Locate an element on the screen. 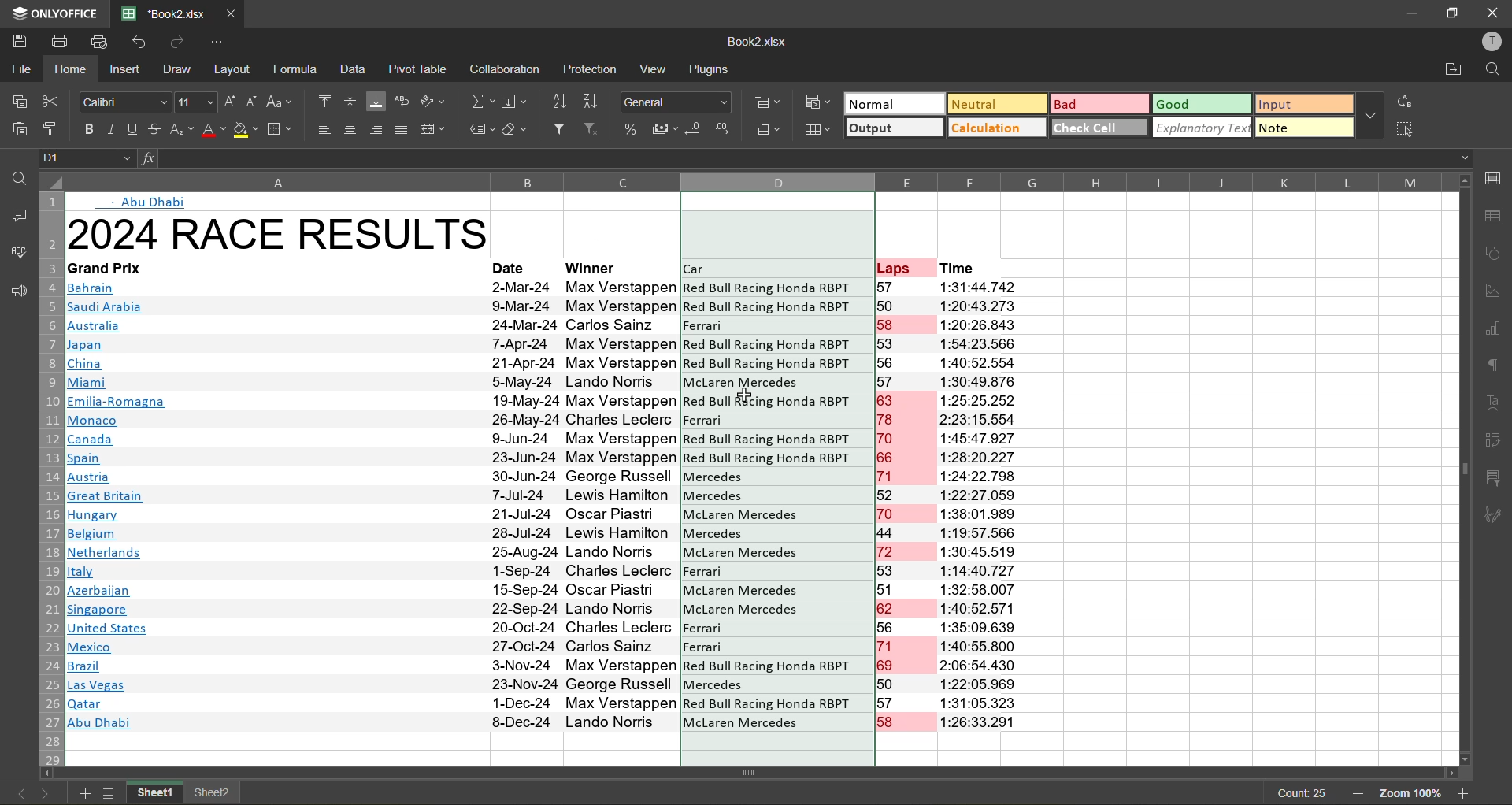  11 is located at coordinates (195, 103).